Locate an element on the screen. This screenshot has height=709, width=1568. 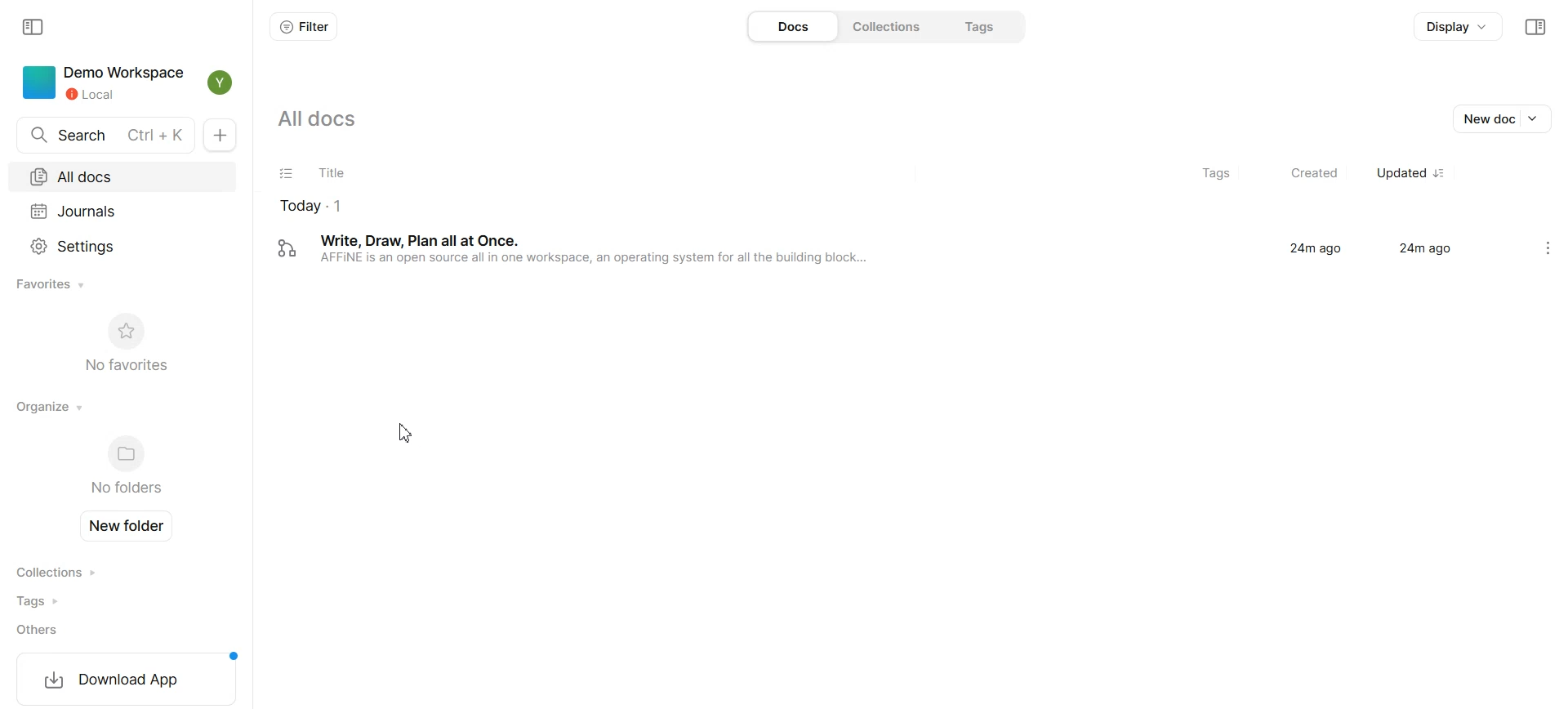
Created is located at coordinates (1306, 173).